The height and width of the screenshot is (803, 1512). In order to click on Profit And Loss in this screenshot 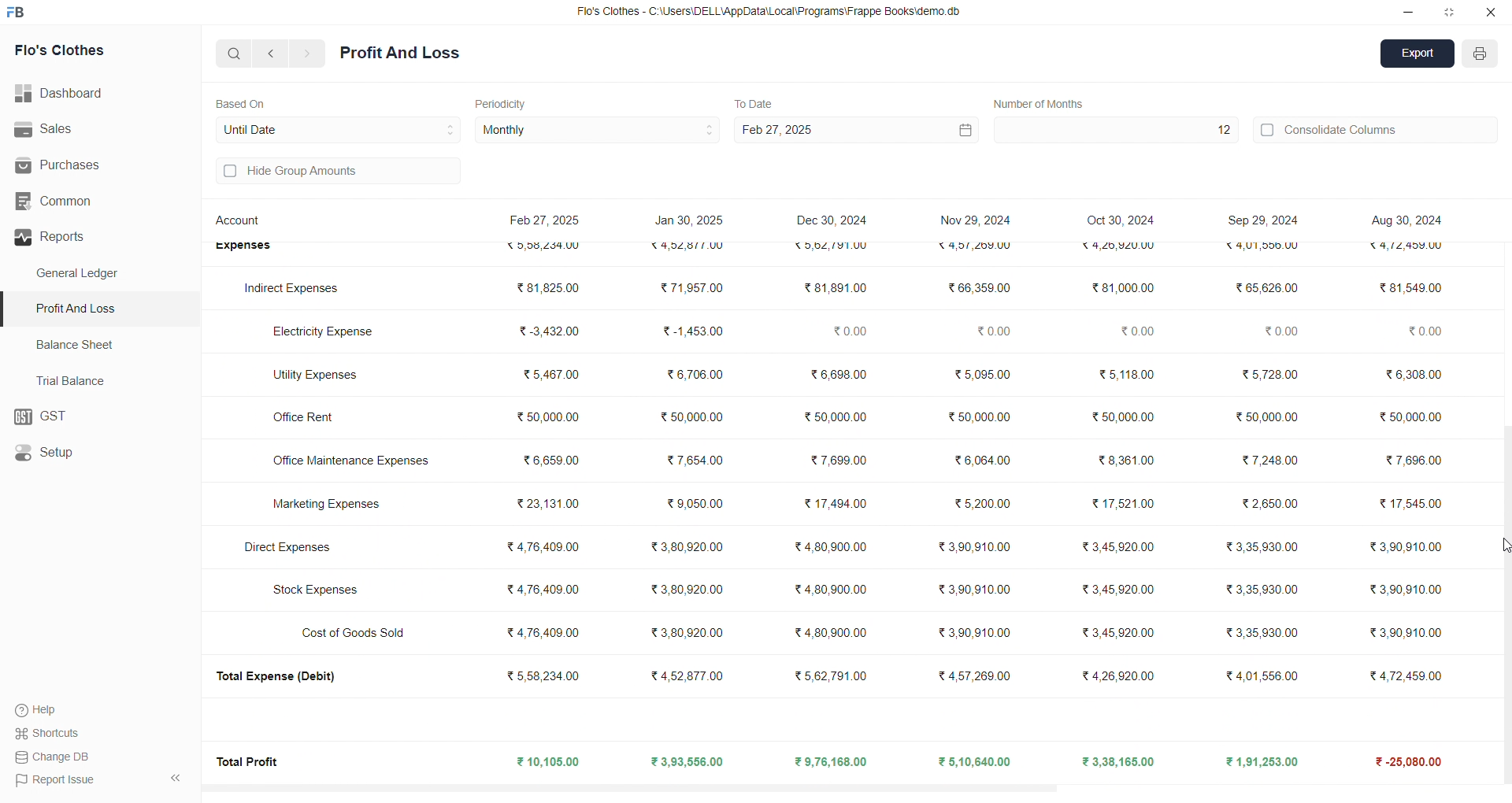, I will do `click(400, 54)`.